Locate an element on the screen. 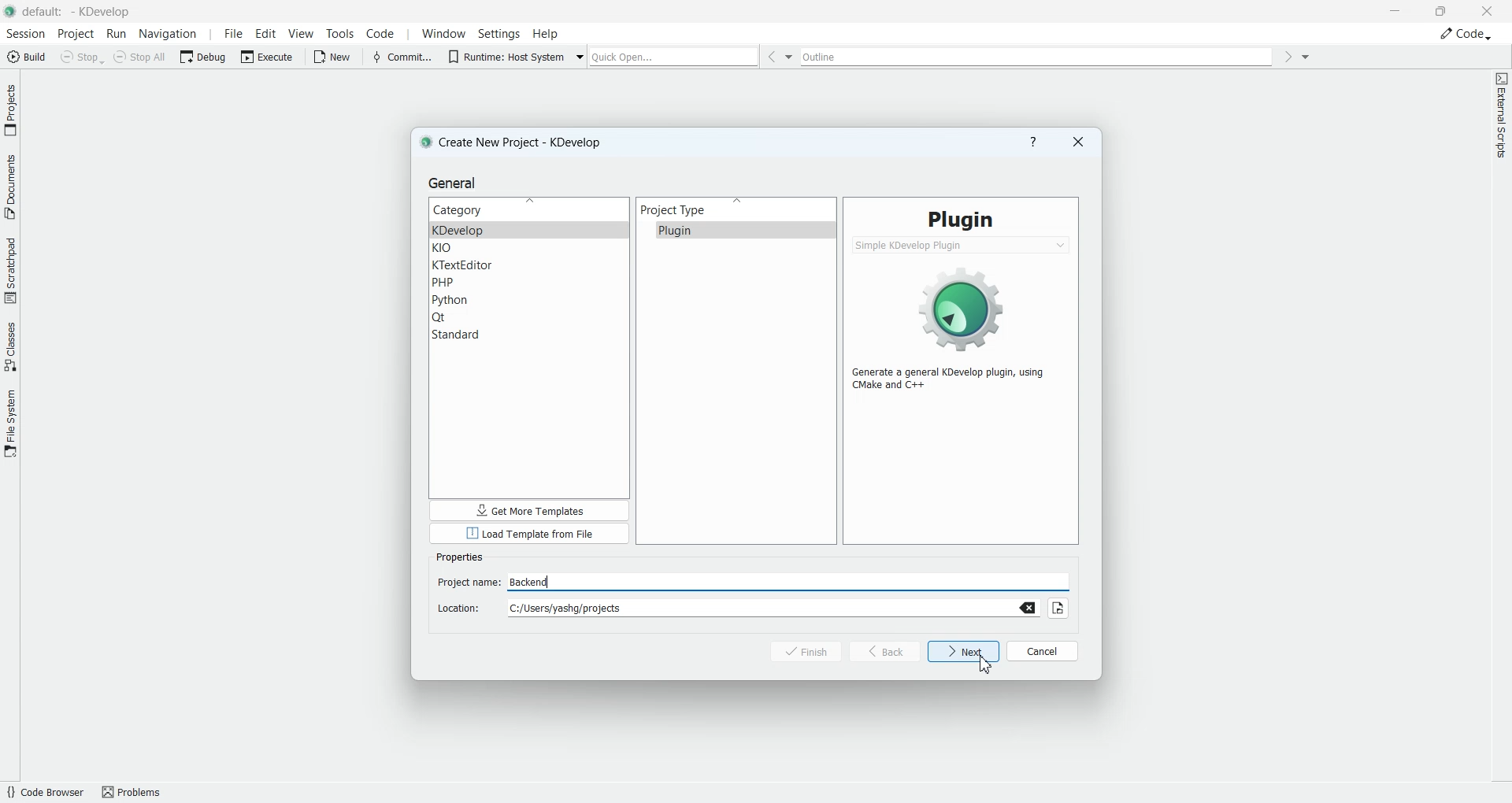  Text is located at coordinates (712, 553).